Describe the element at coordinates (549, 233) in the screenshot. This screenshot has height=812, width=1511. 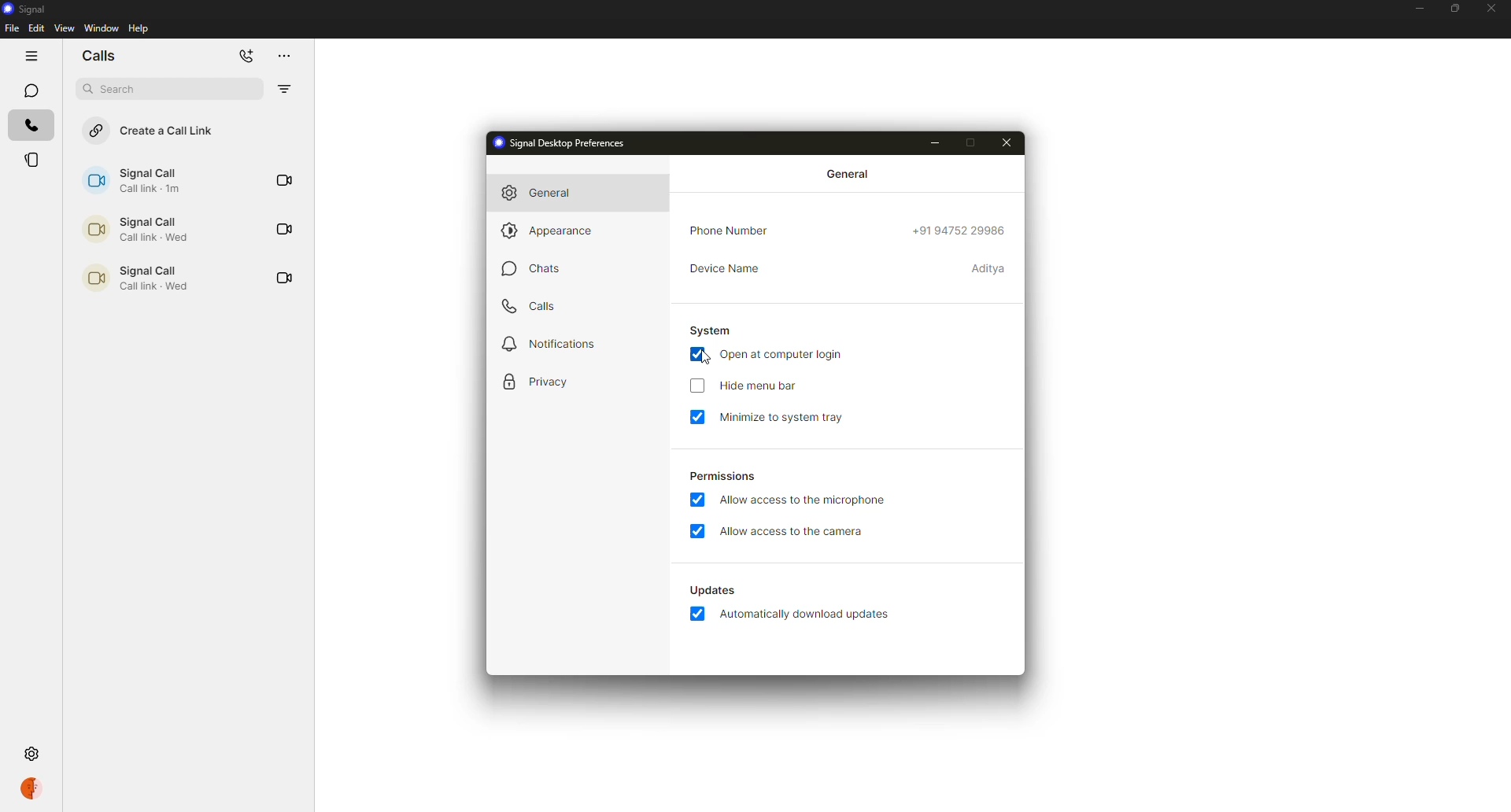
I see `appearance` at that location.